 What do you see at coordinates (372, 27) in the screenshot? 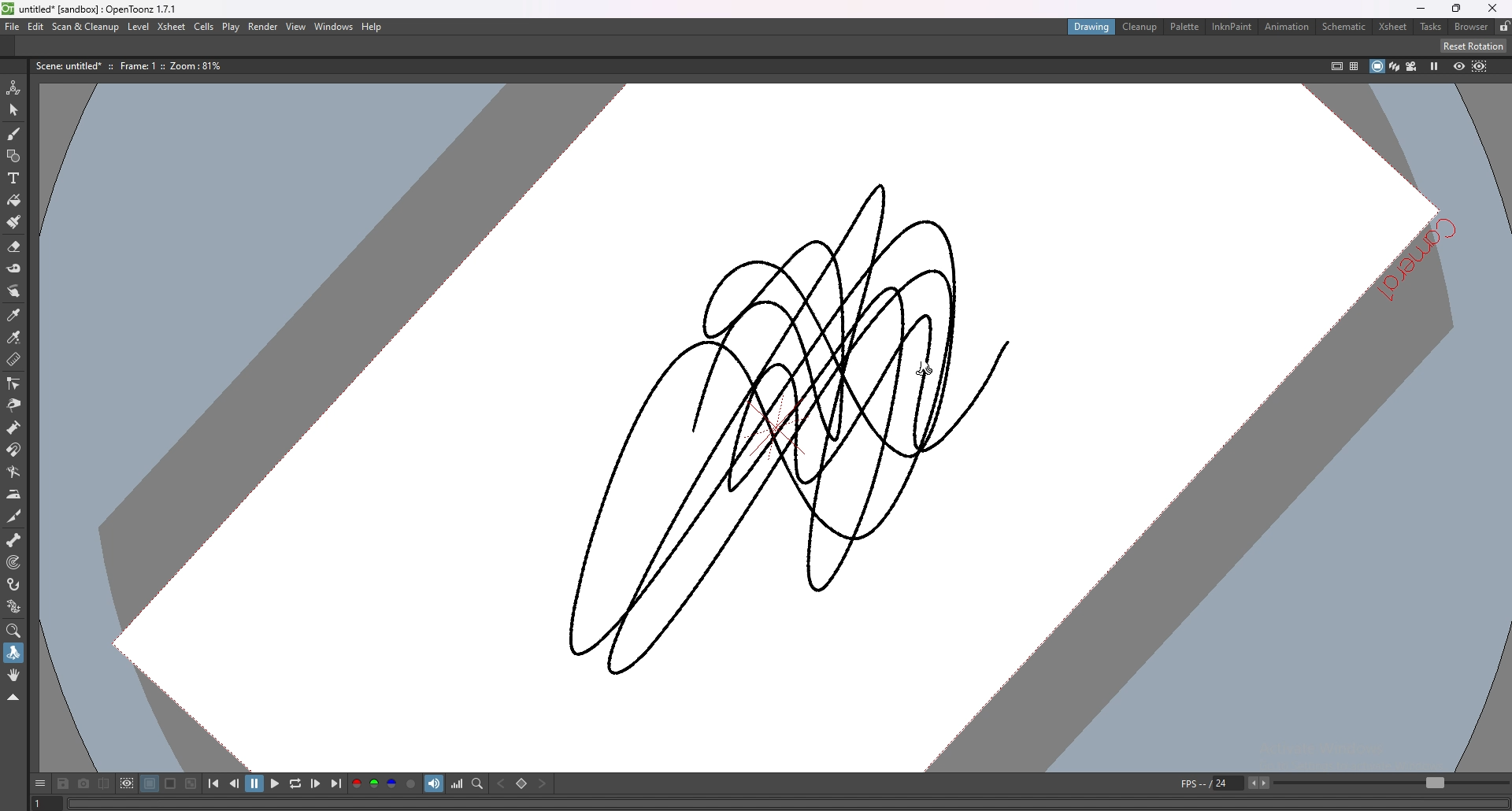
I see `help` at bounding box center [372, 27].